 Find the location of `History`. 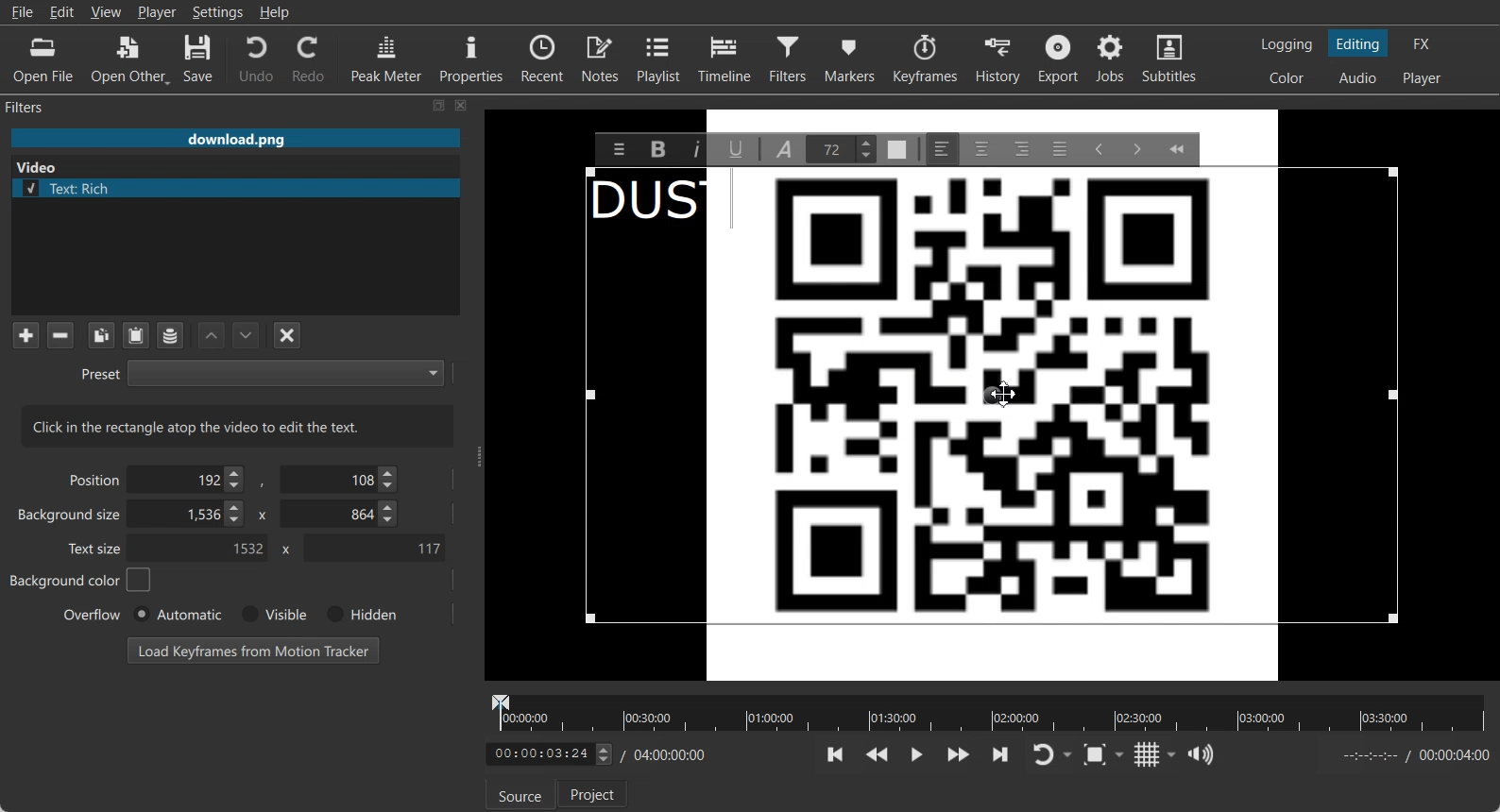

History is located at coordinates (1000, 59).